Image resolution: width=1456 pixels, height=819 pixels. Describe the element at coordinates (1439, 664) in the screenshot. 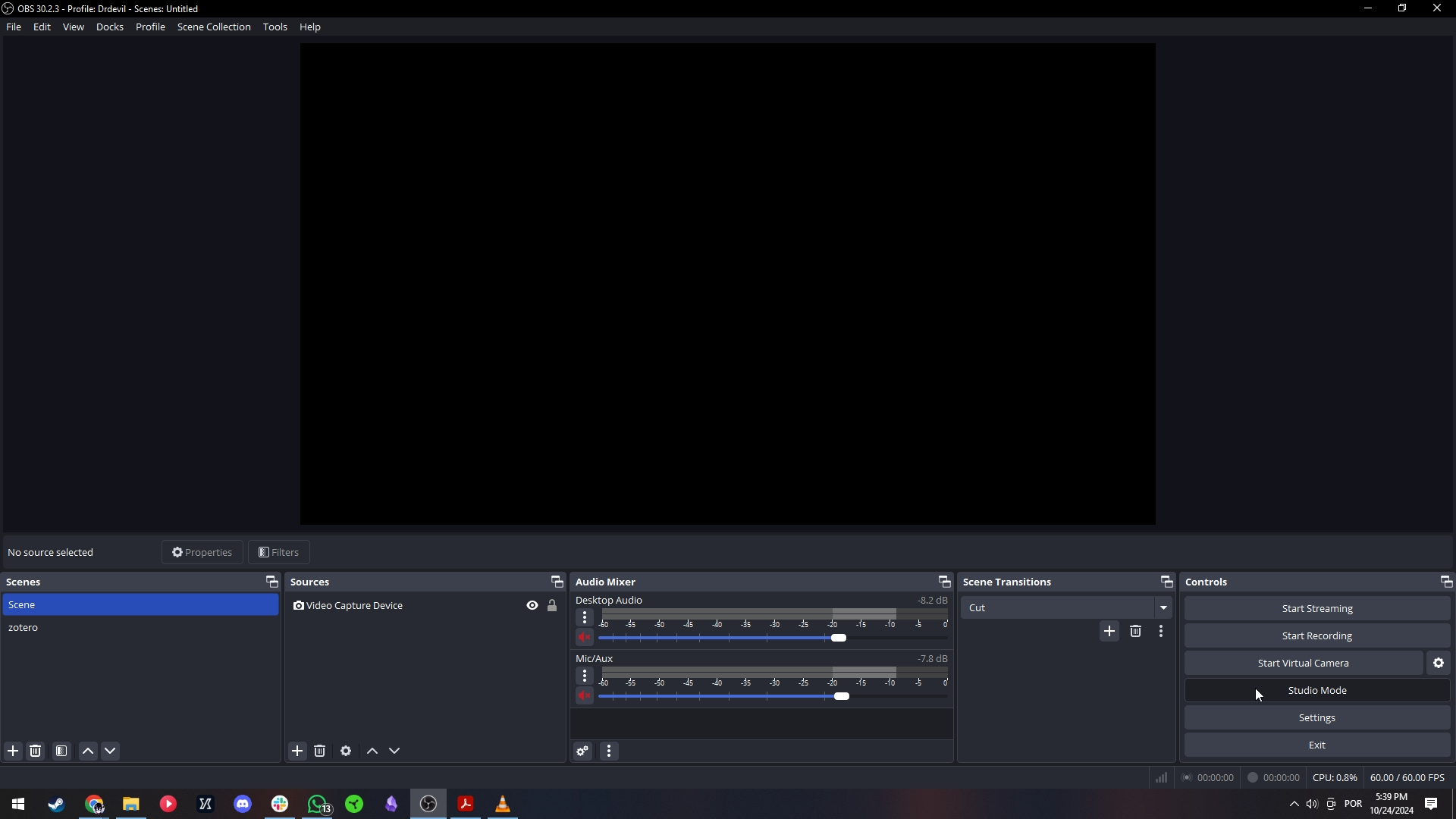

I see `Configure virtual camera` at that location.